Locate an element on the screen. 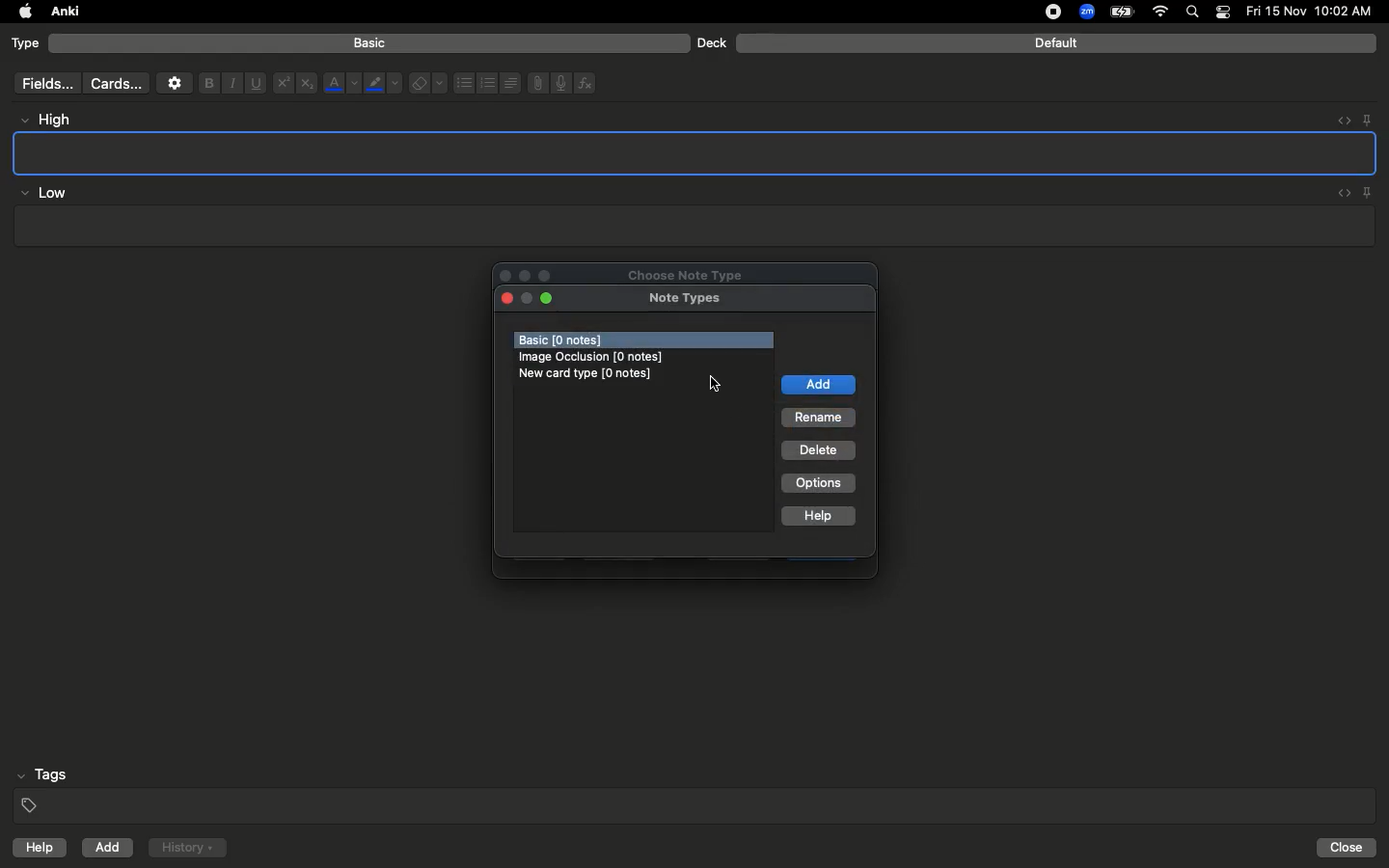 This screenshot has width=1389, height=868. Basic is located at coordinates (370, 43).